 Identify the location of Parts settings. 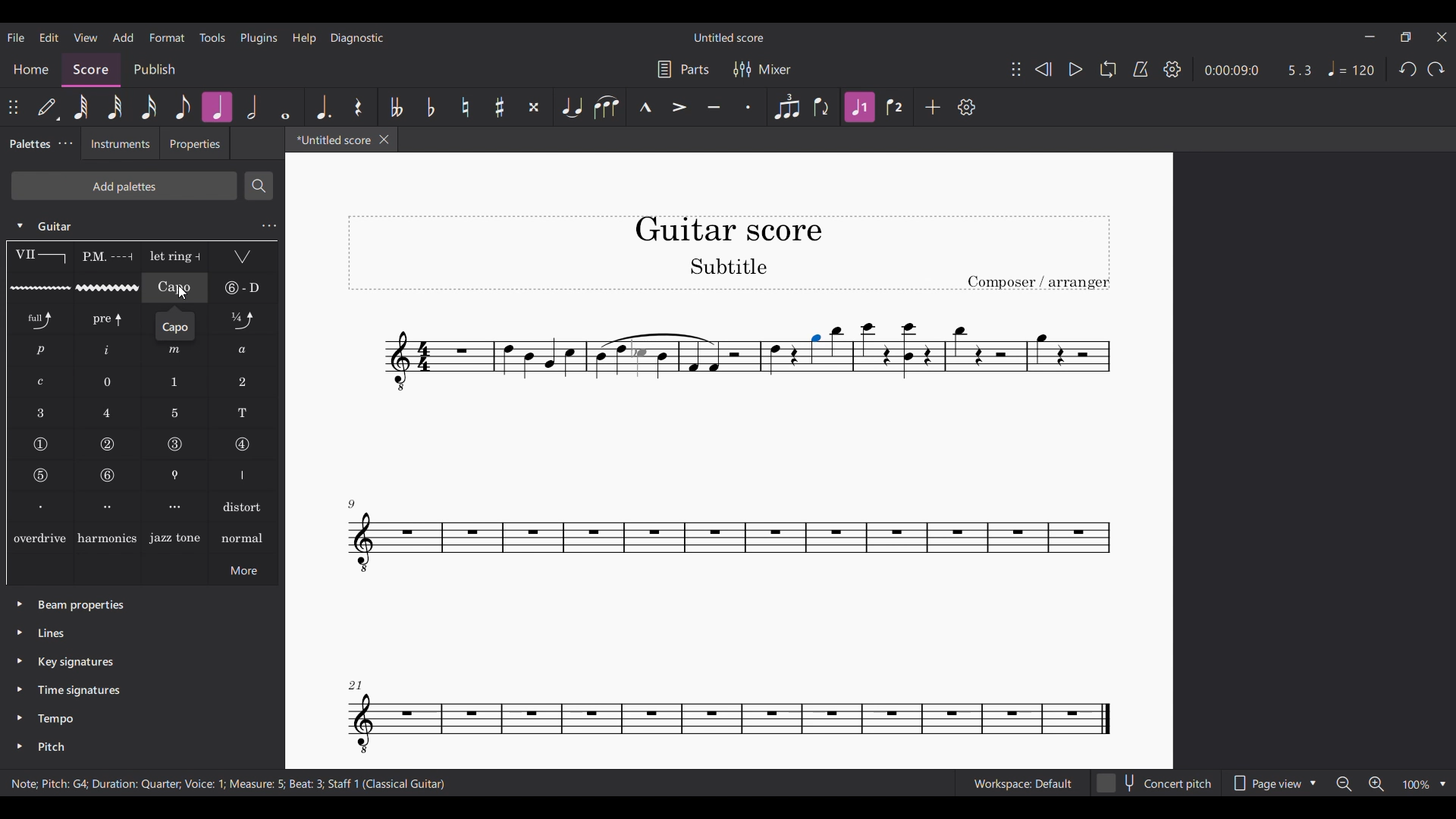
(683, 69).